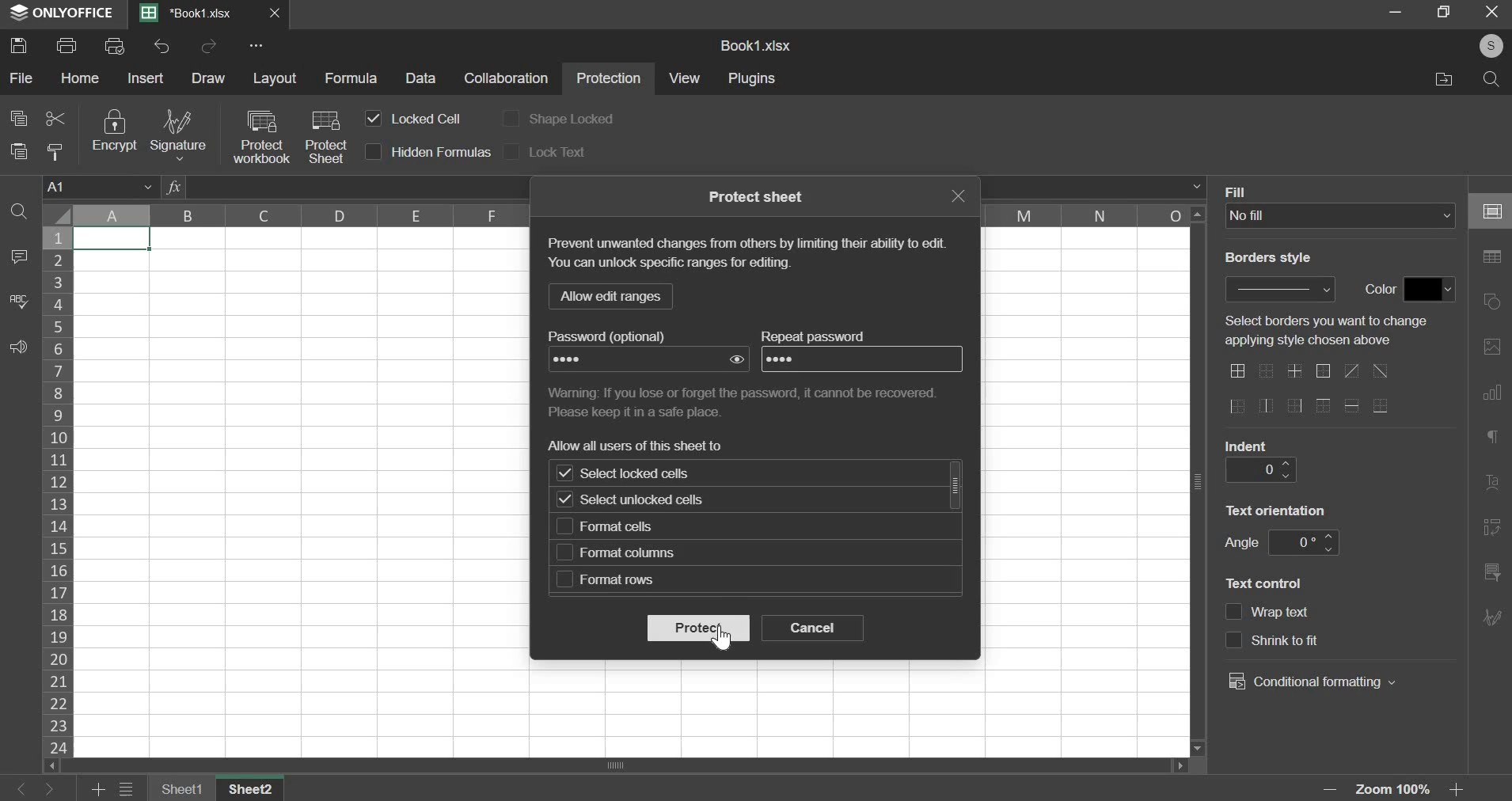  I want to click on fill type, so click(1341, 216).